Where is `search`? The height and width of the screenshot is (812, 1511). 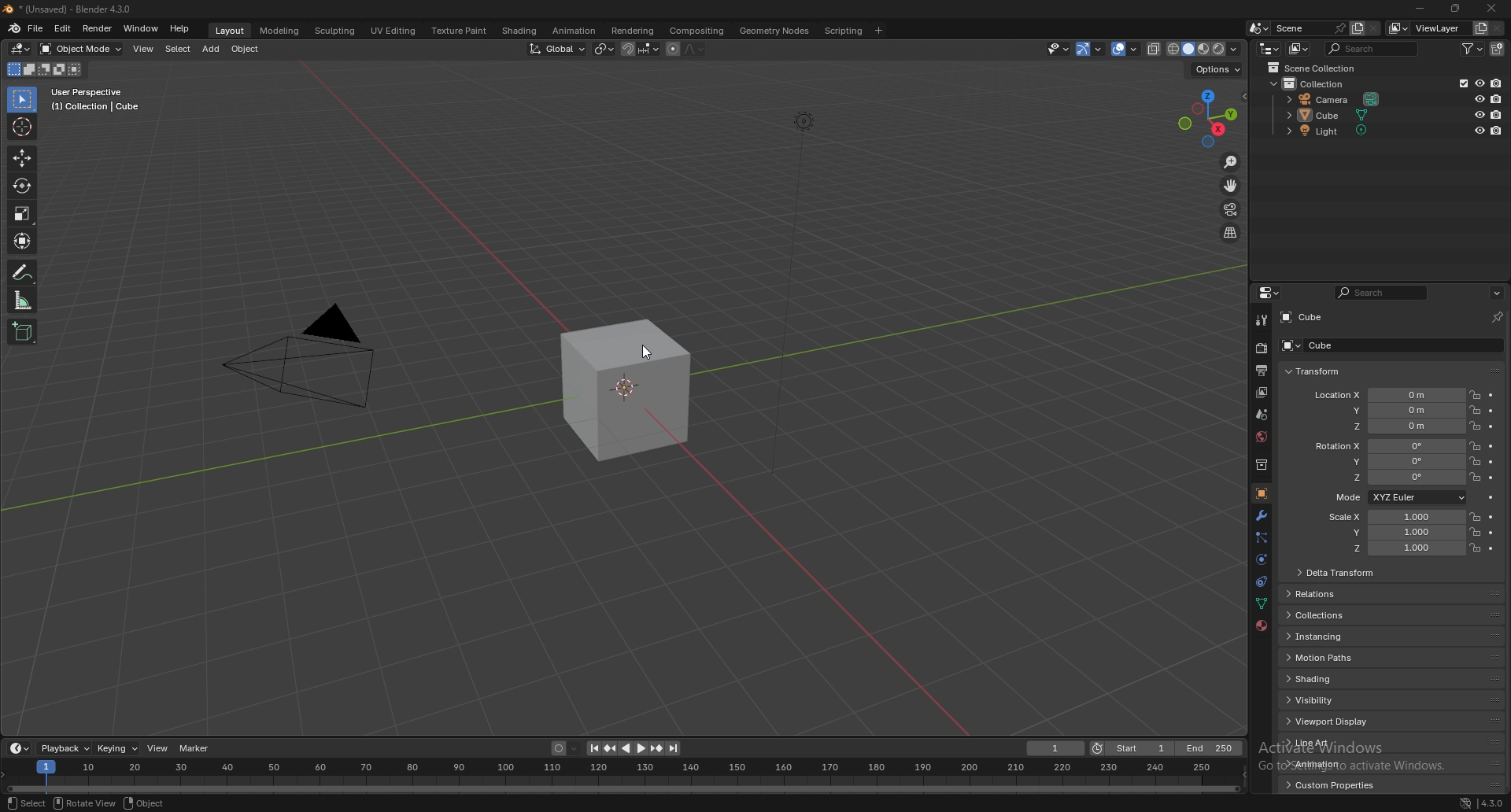 search is located at coordinates (1372, 48).